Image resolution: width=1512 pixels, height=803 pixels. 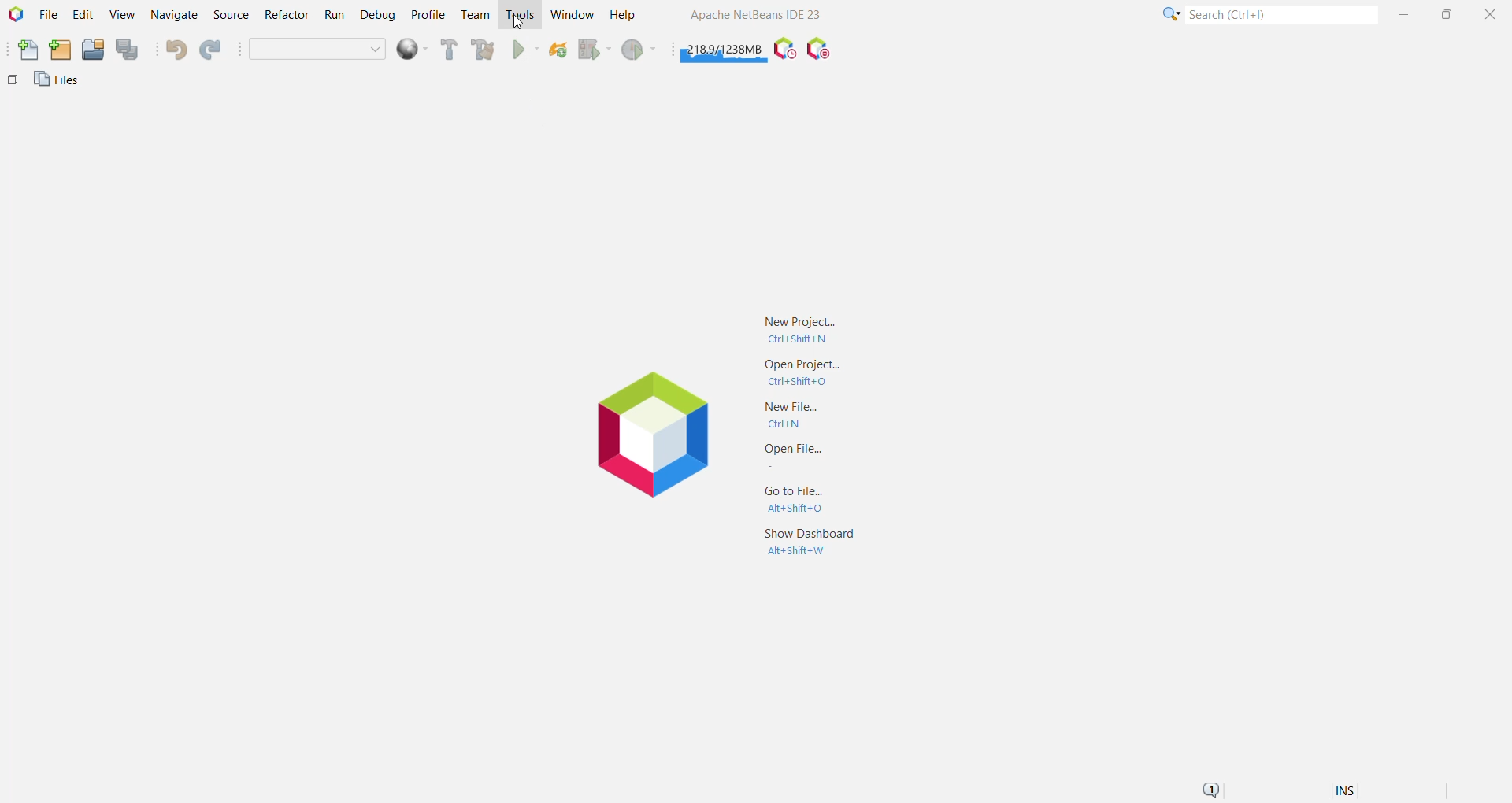 I want to click on Open Project, so click(x=92, y=50).